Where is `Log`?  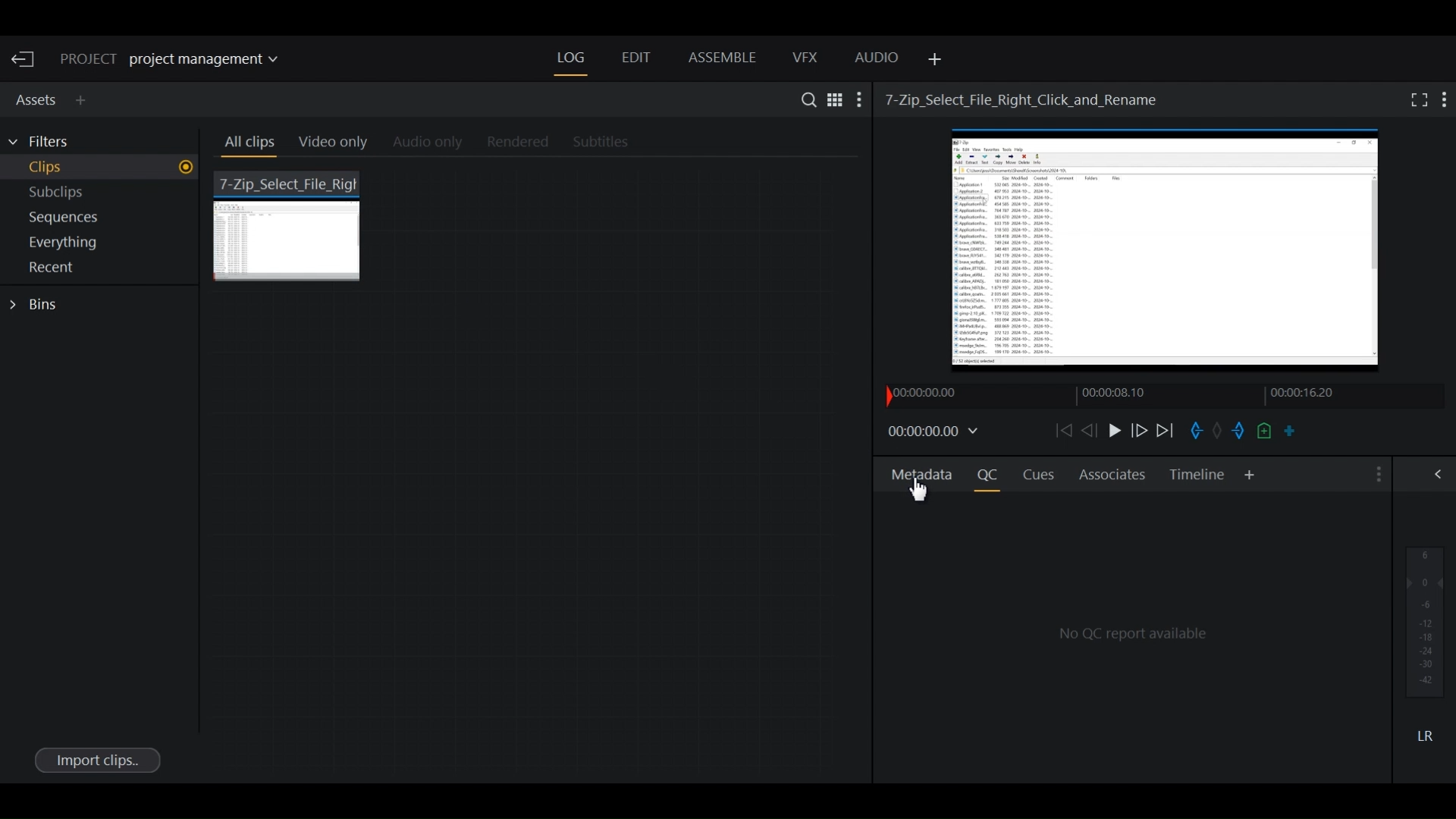 Log is located at coordinates (571, 58).